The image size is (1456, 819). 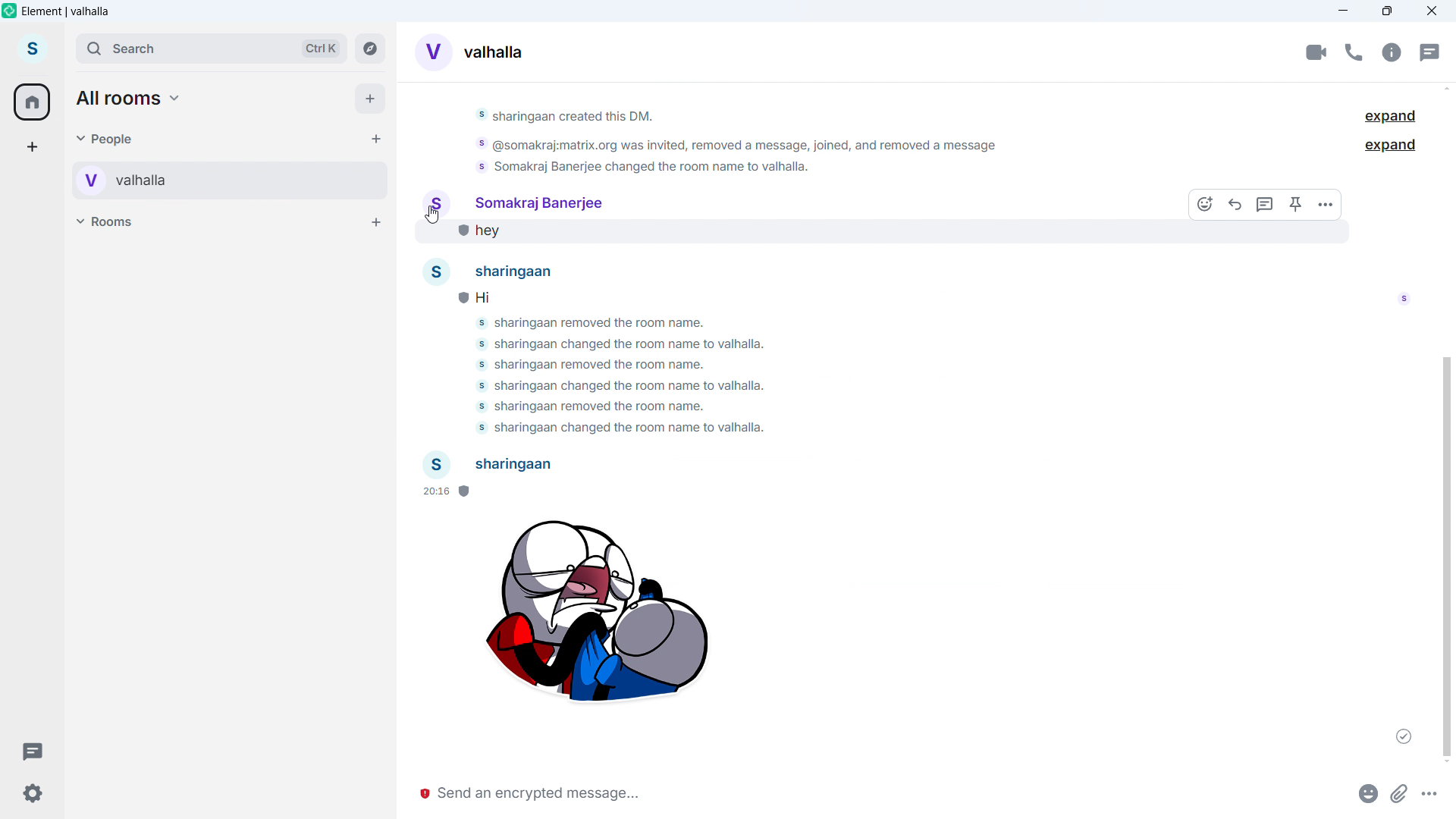 What do you see at coordinates (1236, 203) in the screenshot?
I see `reply ` at bounding box center [1236, 203].